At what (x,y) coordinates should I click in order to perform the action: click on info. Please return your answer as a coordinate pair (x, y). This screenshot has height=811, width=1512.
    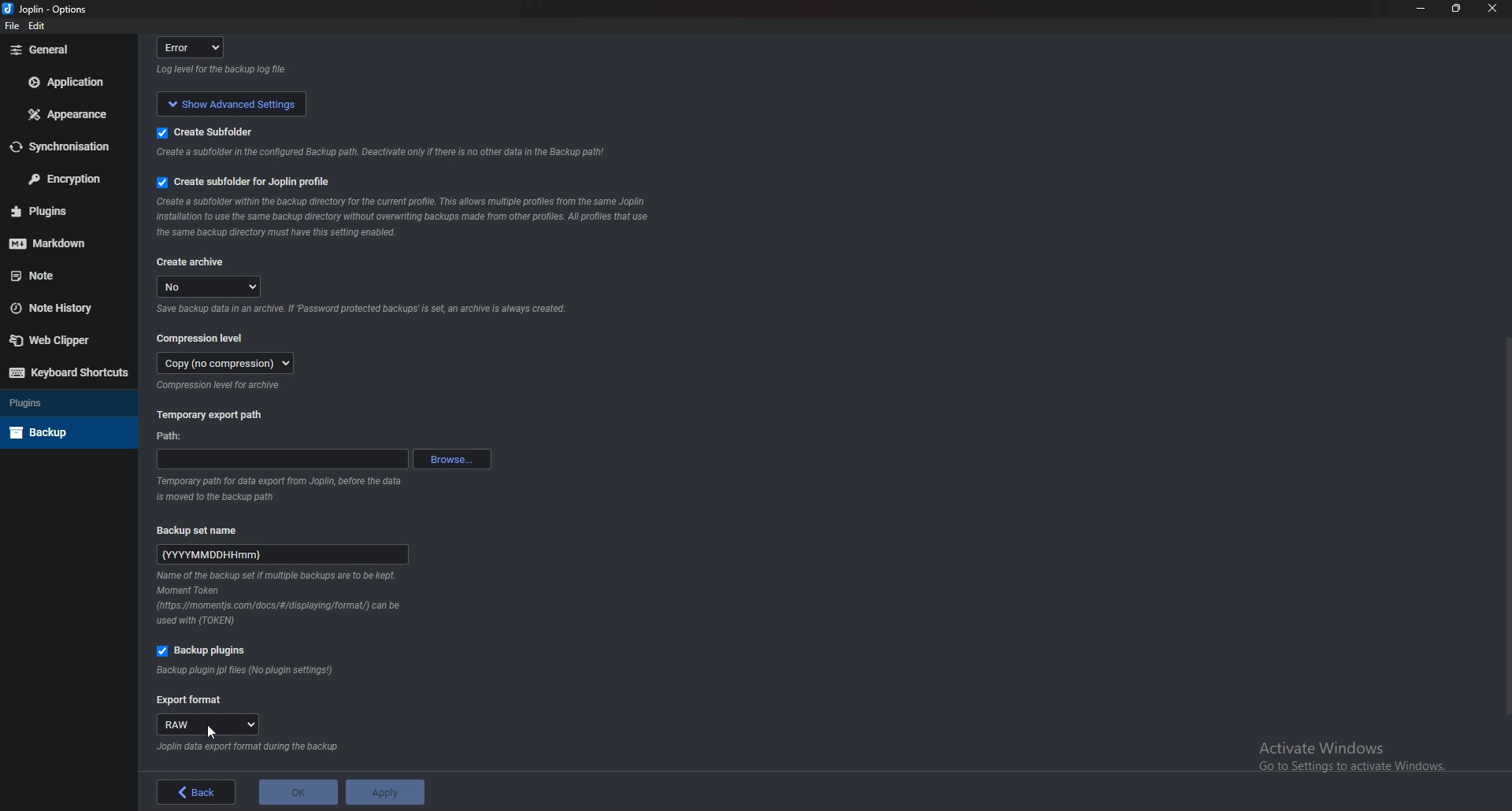
    Looking at the image, I should click on (284, 487).